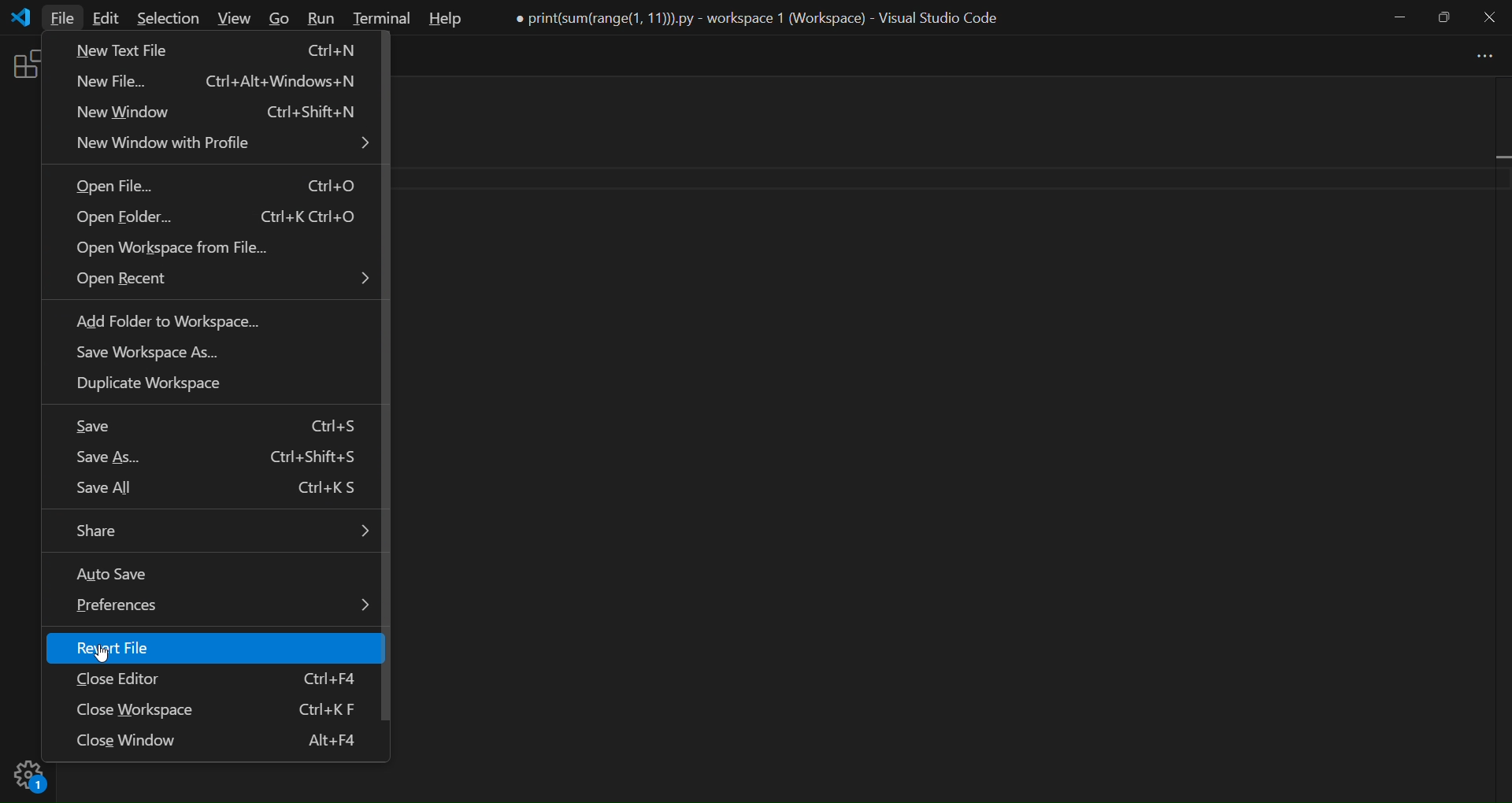  I want to click on duplicate workspace, so click(157, 387).